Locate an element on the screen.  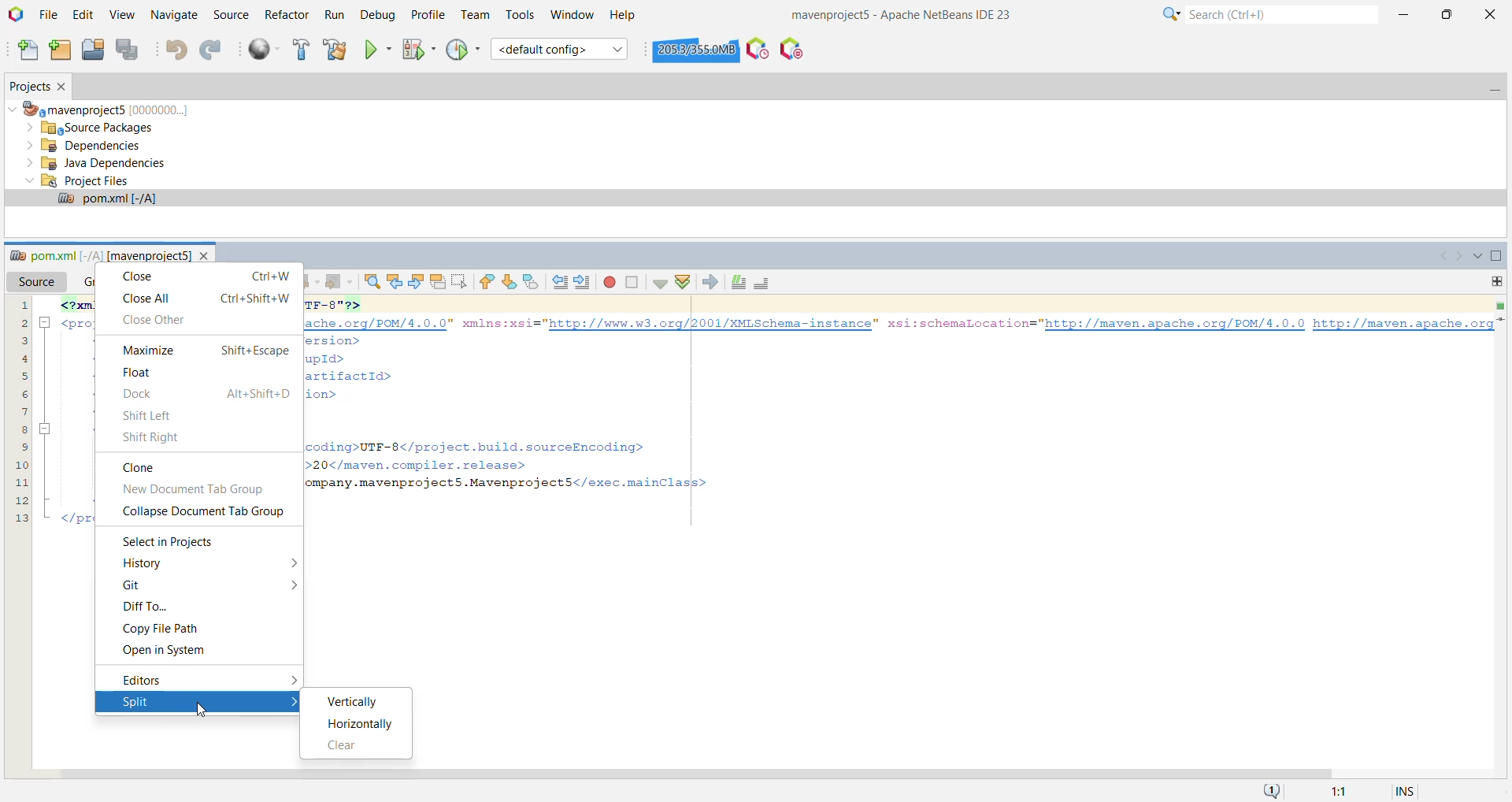
Diff To is located at coordinates (143, 607).